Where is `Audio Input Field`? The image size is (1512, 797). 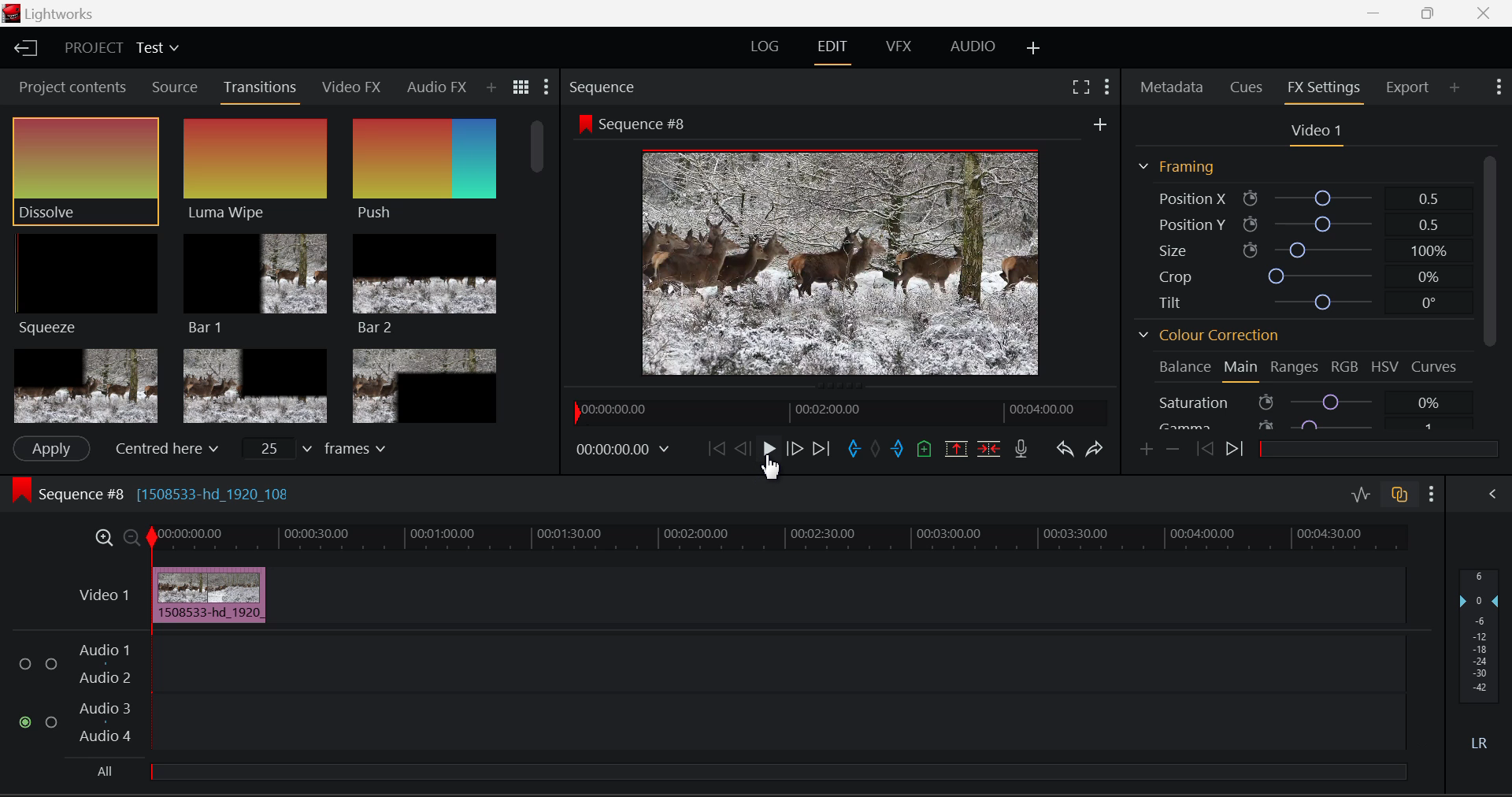
Audio Input Field is located at coordinates (774, 662).